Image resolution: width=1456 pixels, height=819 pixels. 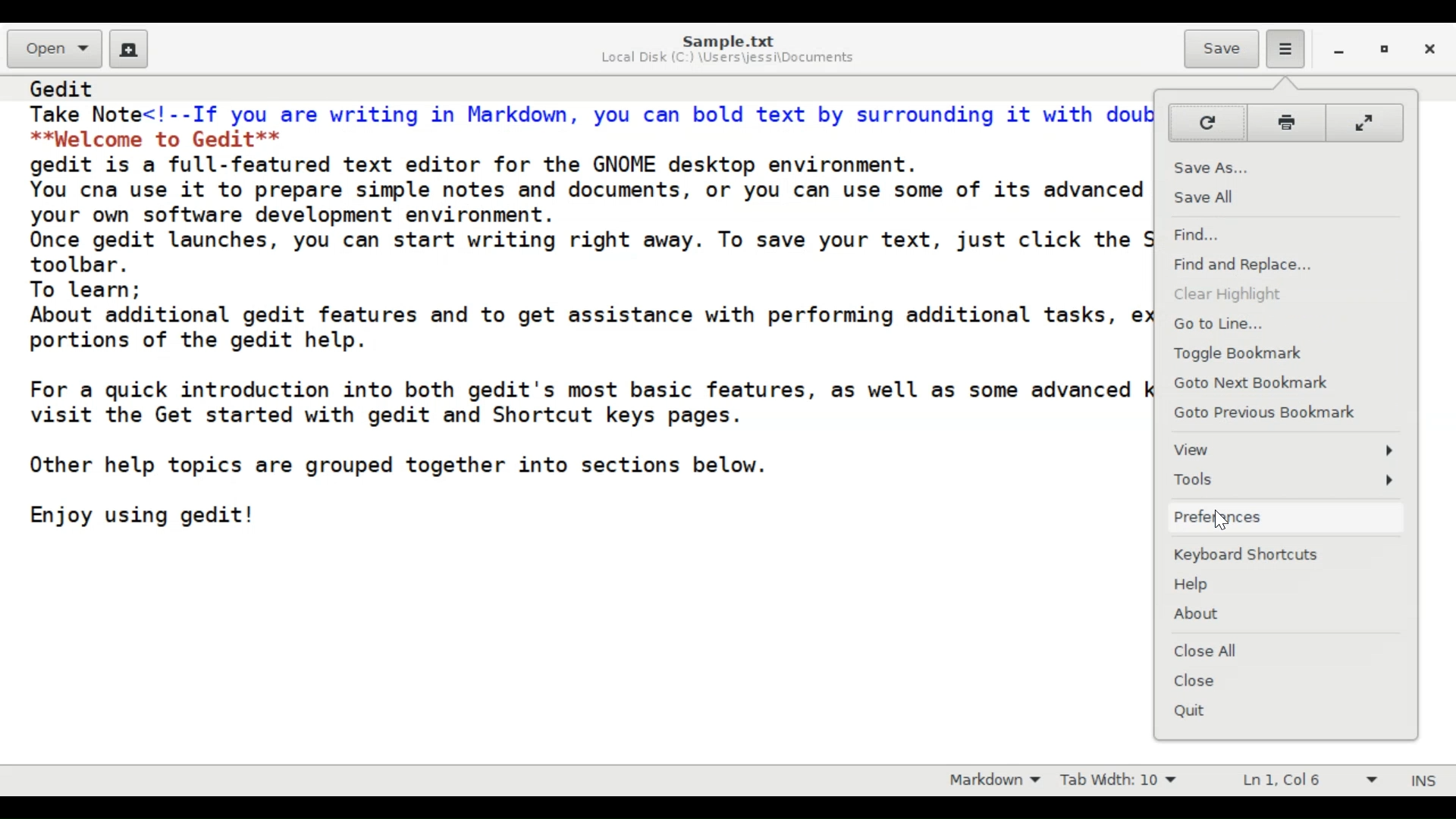 What do you see at coordinates (1286, 234) in the screenshot?
I see `Find` at bounding box center [1286, 234].